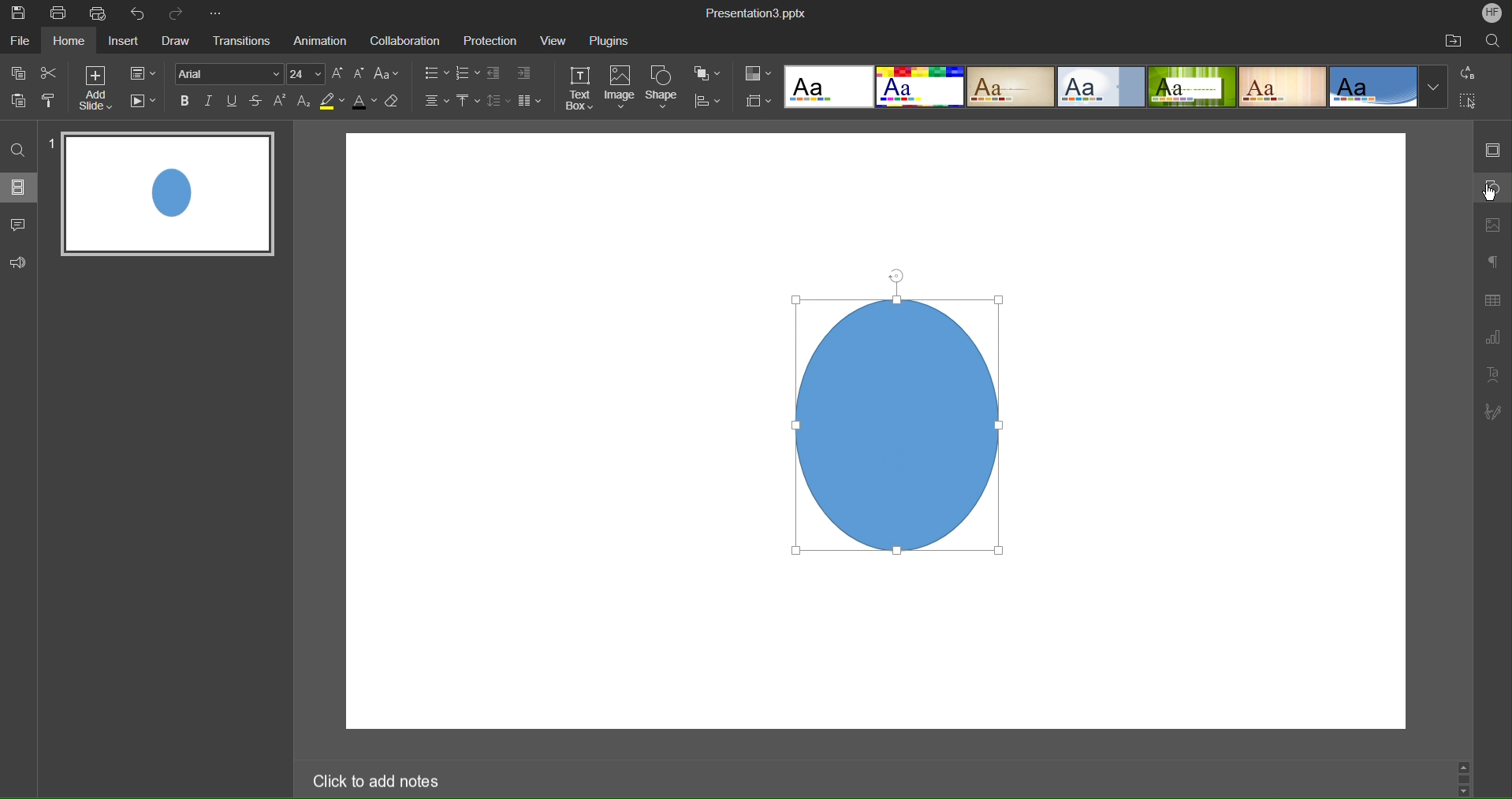 This screenshot has width=1512, height=799. Describe the element at coordinates (531, 102) in the screenshot. I see `Columns` at that location.